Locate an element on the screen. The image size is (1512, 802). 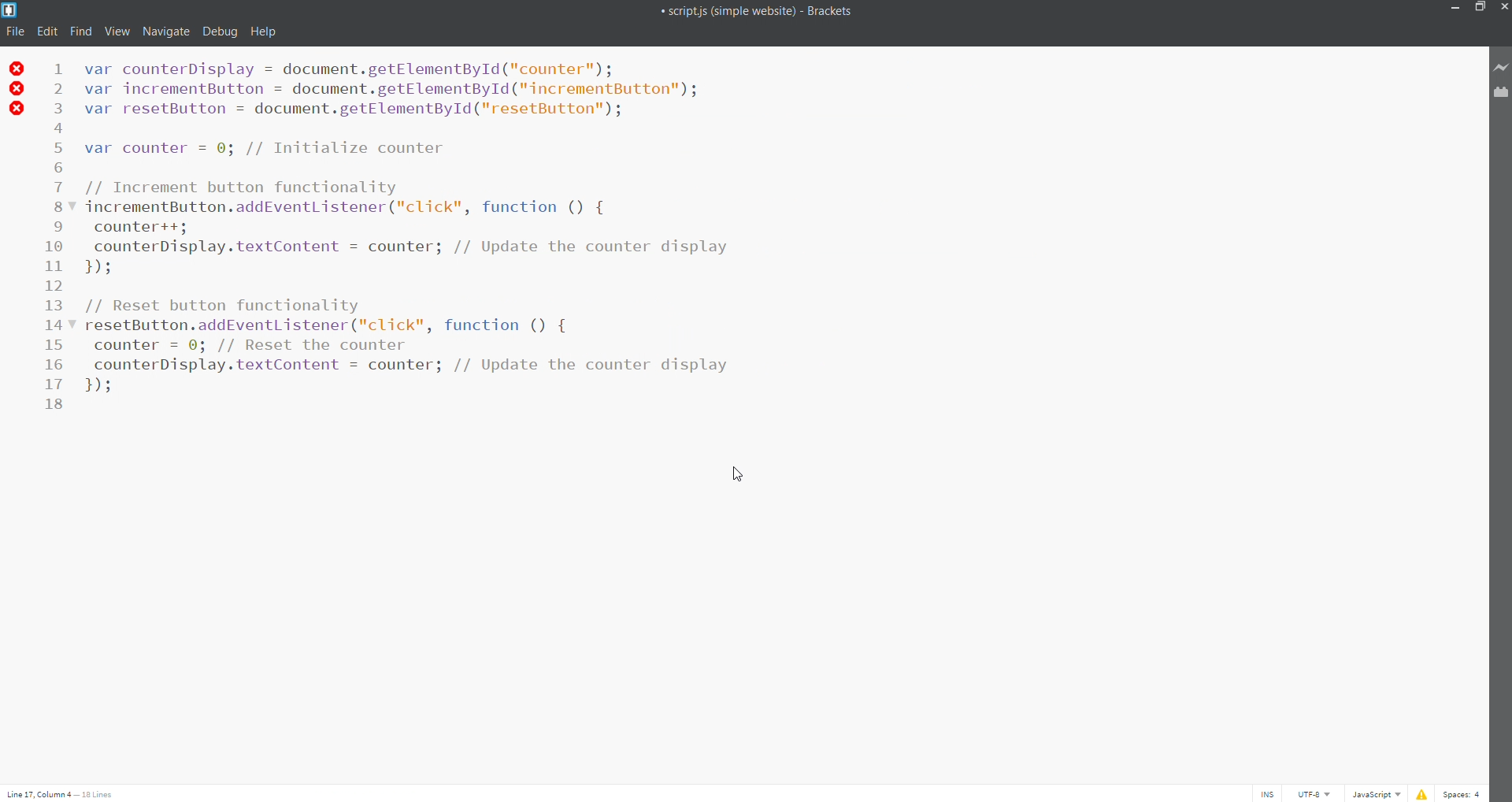
minimize is located at coordinates (1456, 9).